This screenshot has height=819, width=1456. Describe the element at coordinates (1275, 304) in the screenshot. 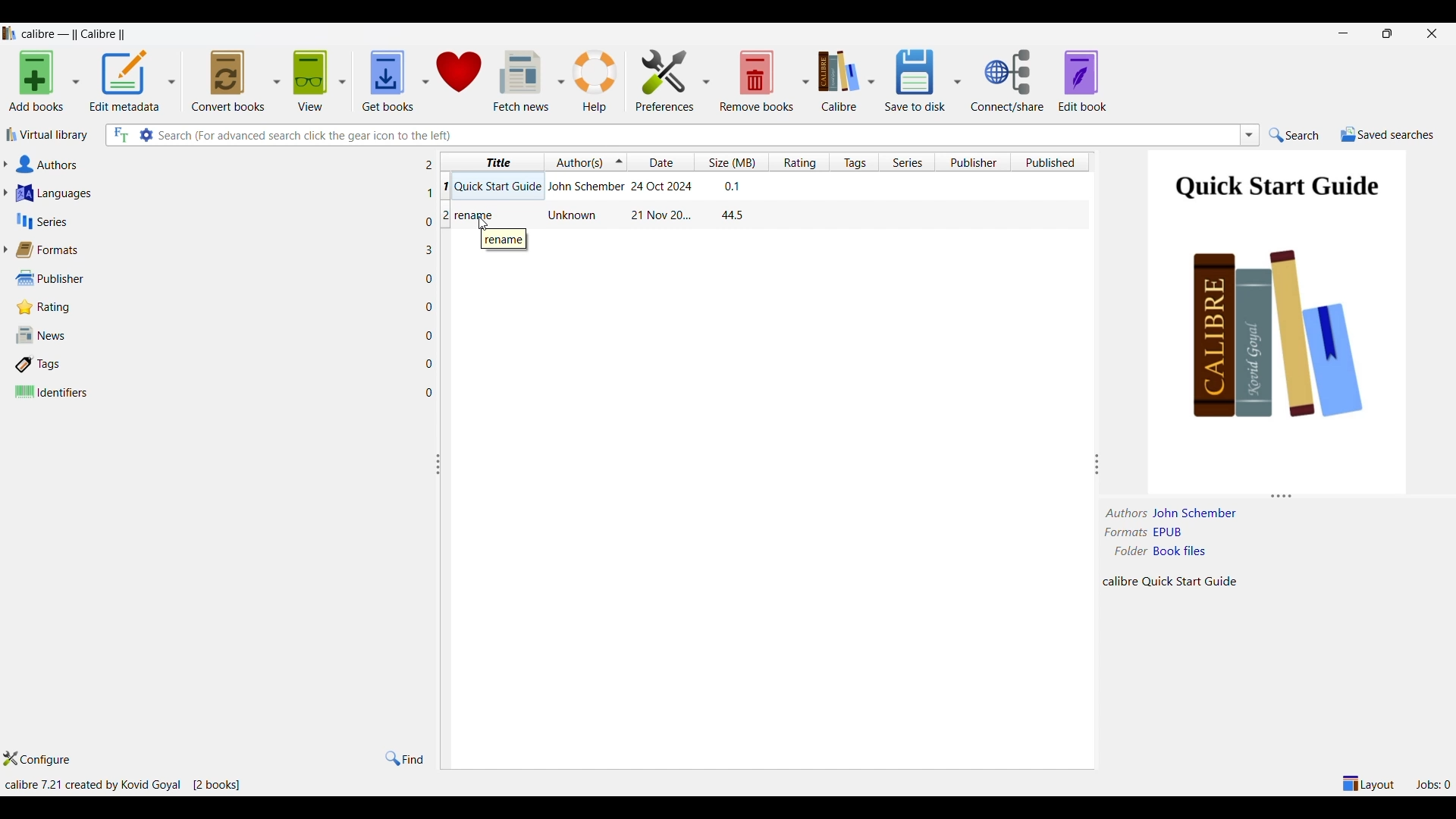

I see `Preview of current selection` at that location.